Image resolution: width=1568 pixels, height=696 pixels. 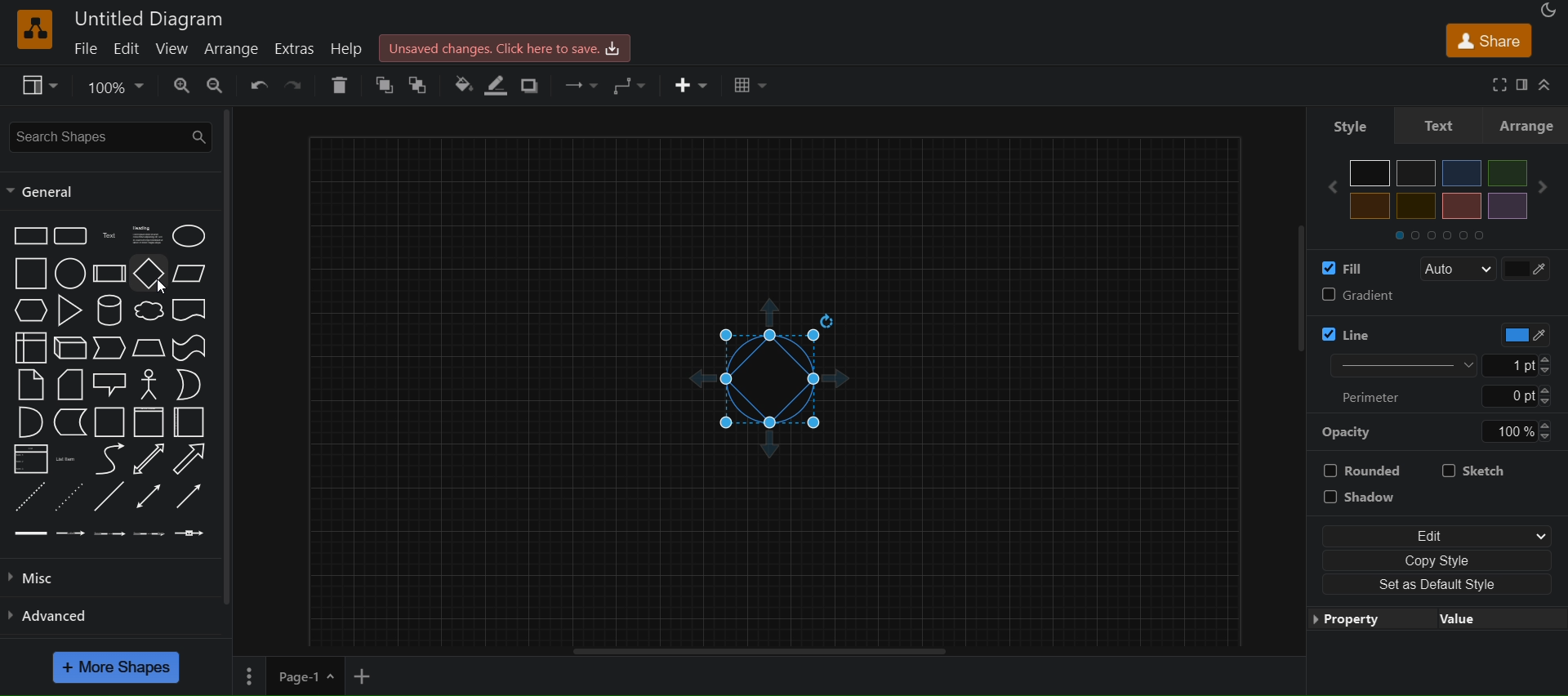 What do you see at coordinates (189, 384) in the screenshot?
I see `or` at bounding box center [189, 384].